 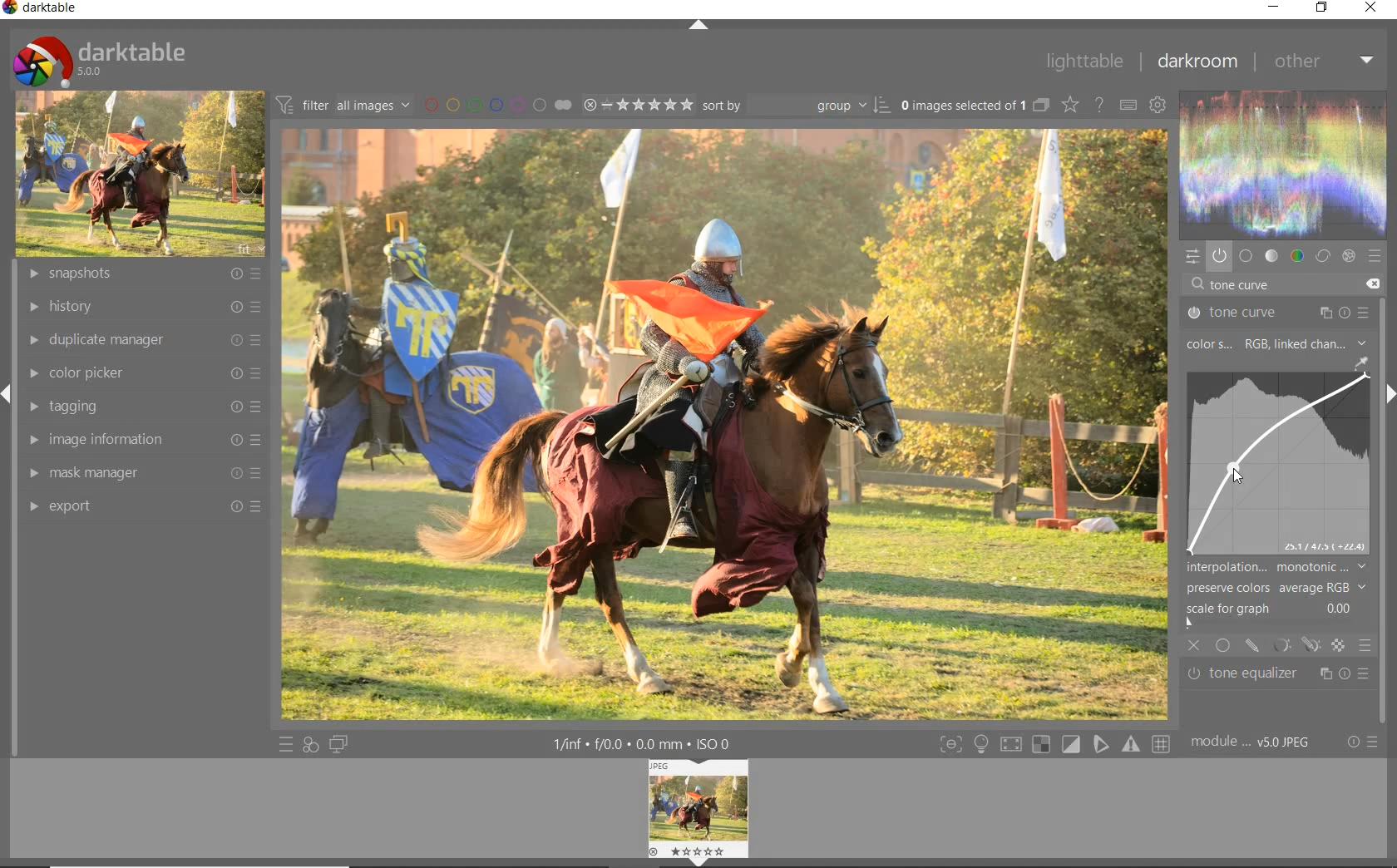 What do you see at coordinates (1219, 257) in the screenshot?
I see `show only active modules` at bounding box center [1219, 257].